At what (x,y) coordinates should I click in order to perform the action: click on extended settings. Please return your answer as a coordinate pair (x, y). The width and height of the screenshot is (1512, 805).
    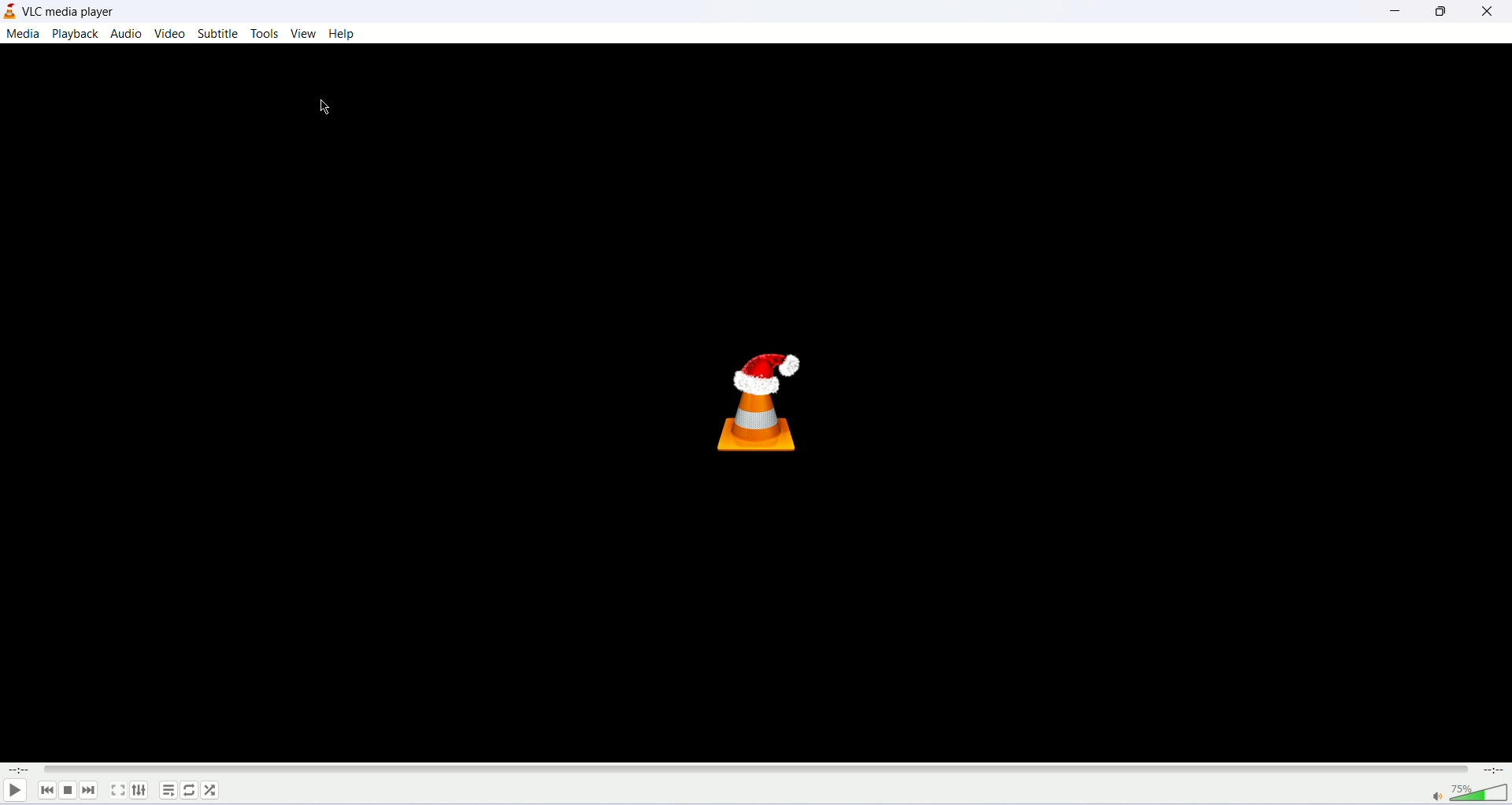
    Looking at the image, I should click on (139, 791).